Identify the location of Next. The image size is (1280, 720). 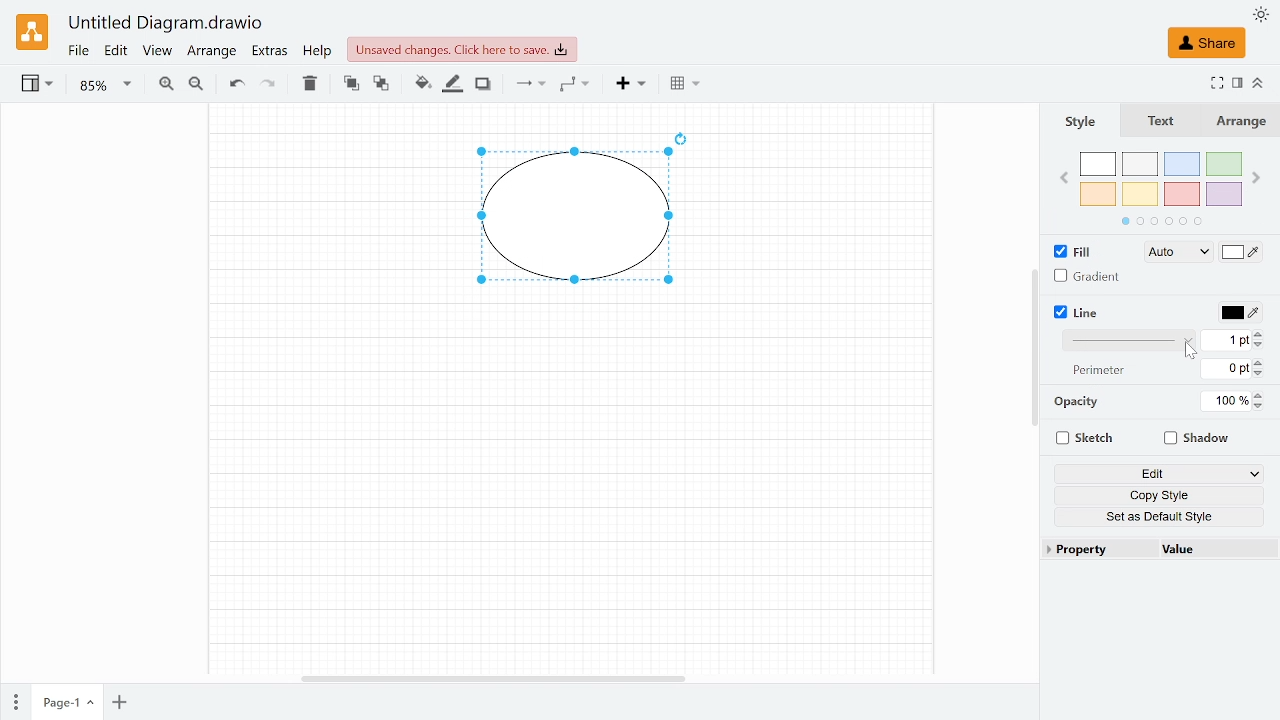
(1256, 176).